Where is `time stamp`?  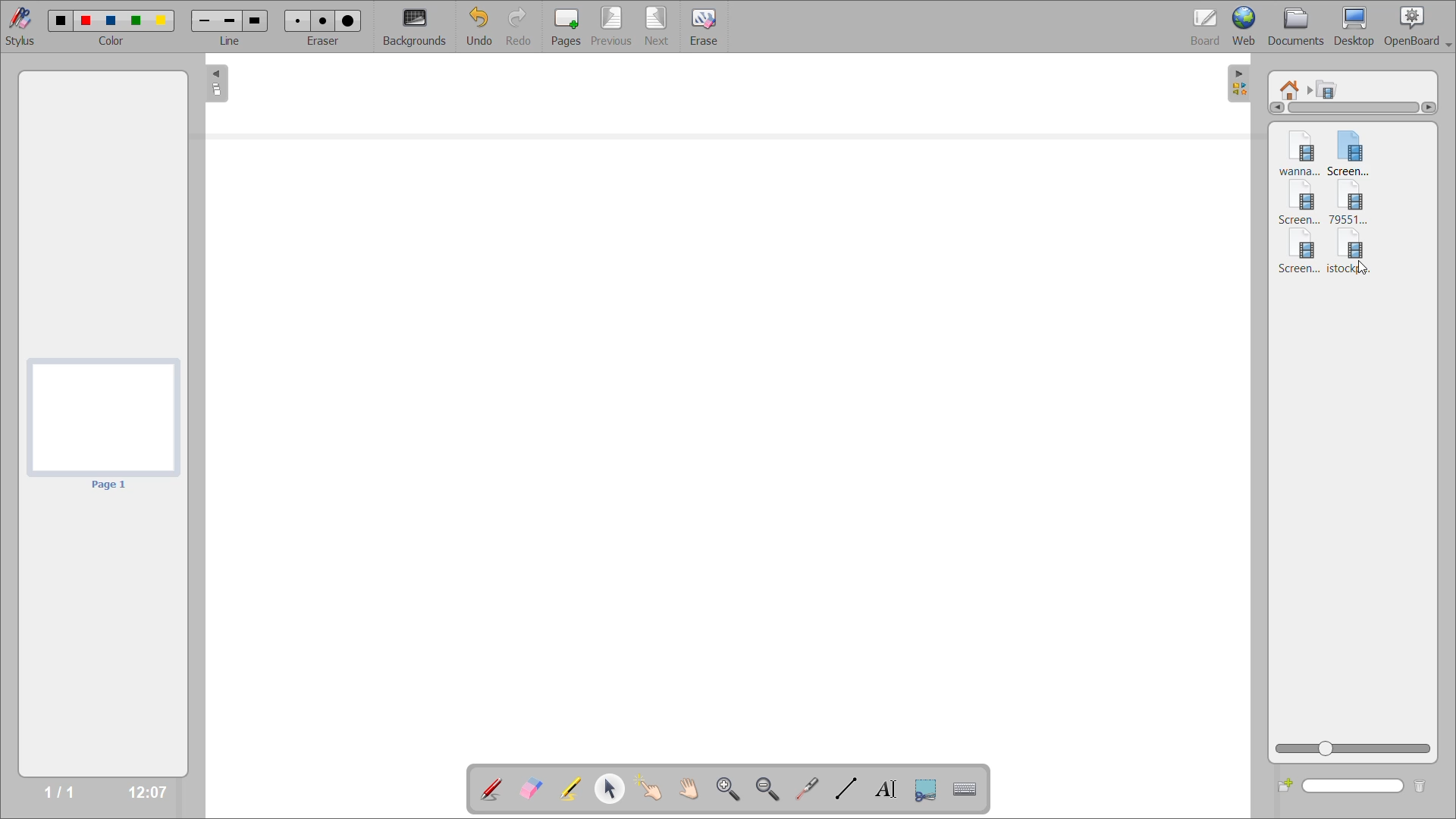
time stamp is located at coordinates (142, 790).